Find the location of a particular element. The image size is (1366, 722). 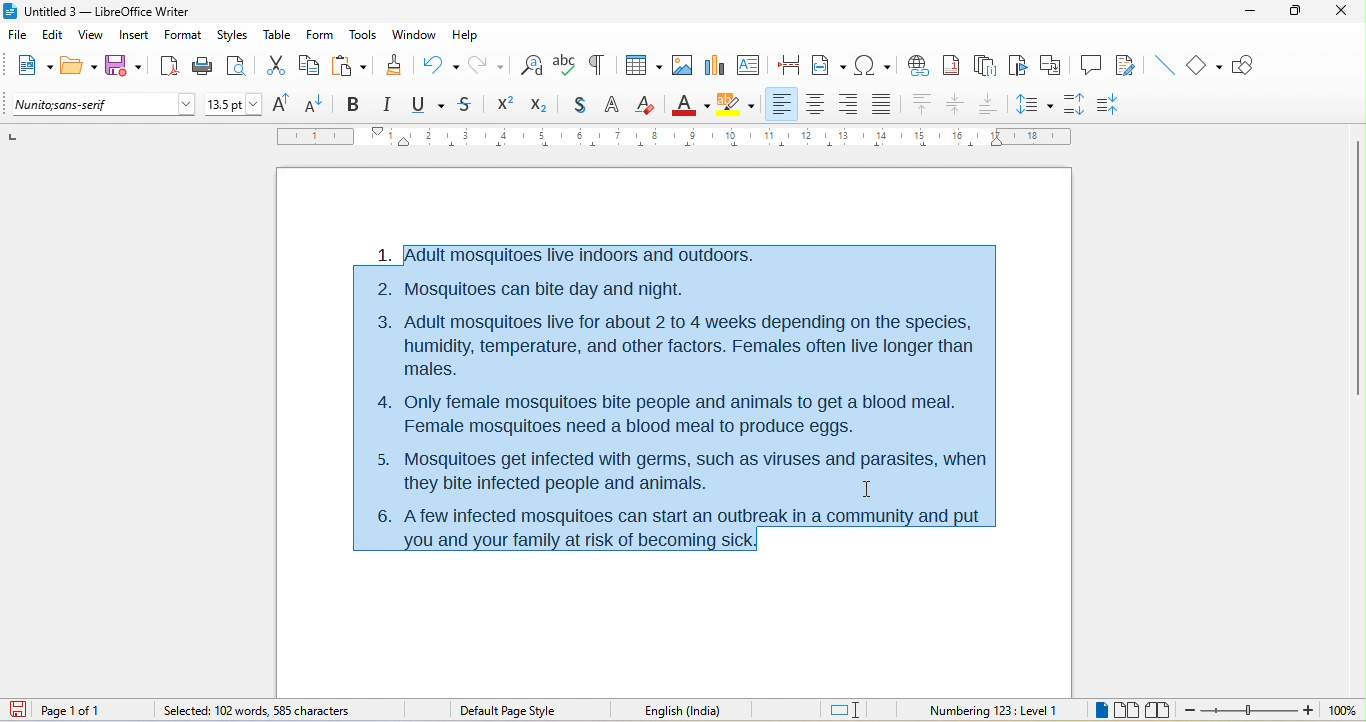

clone formatting is located at coordinates (397, 67).